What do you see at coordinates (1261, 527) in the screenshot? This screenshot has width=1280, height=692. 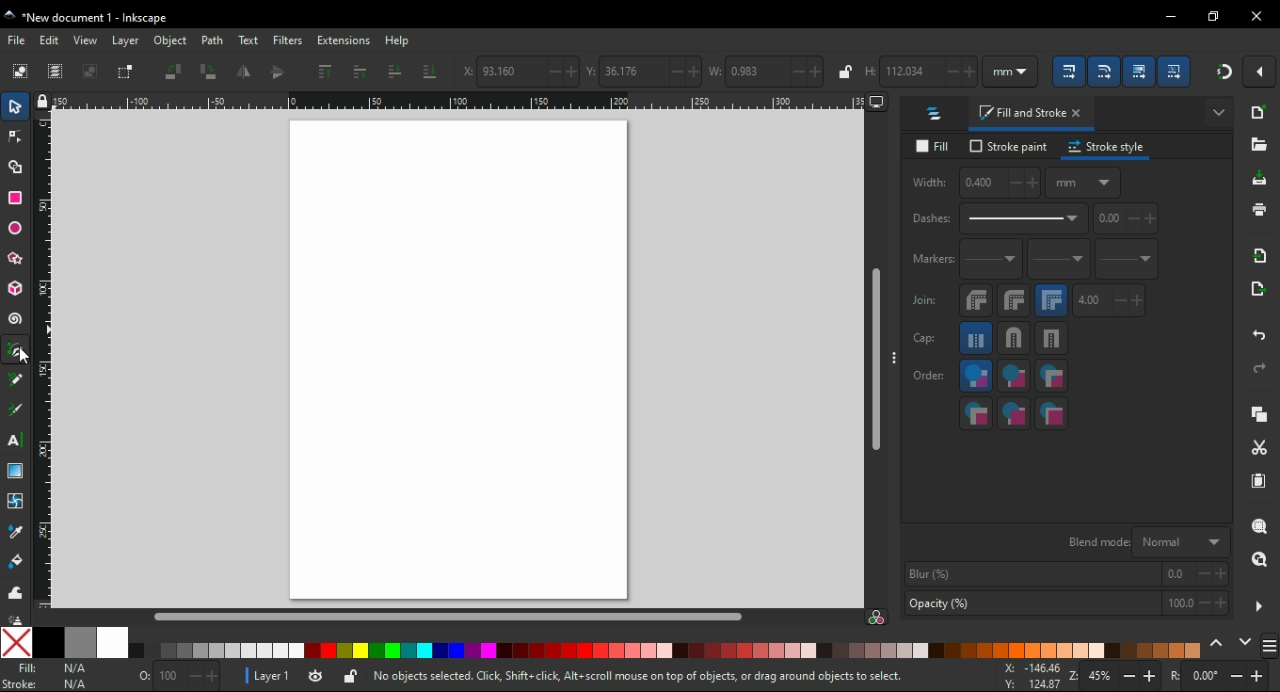 I see `zoom selection` at bounding box center [1261, 527].